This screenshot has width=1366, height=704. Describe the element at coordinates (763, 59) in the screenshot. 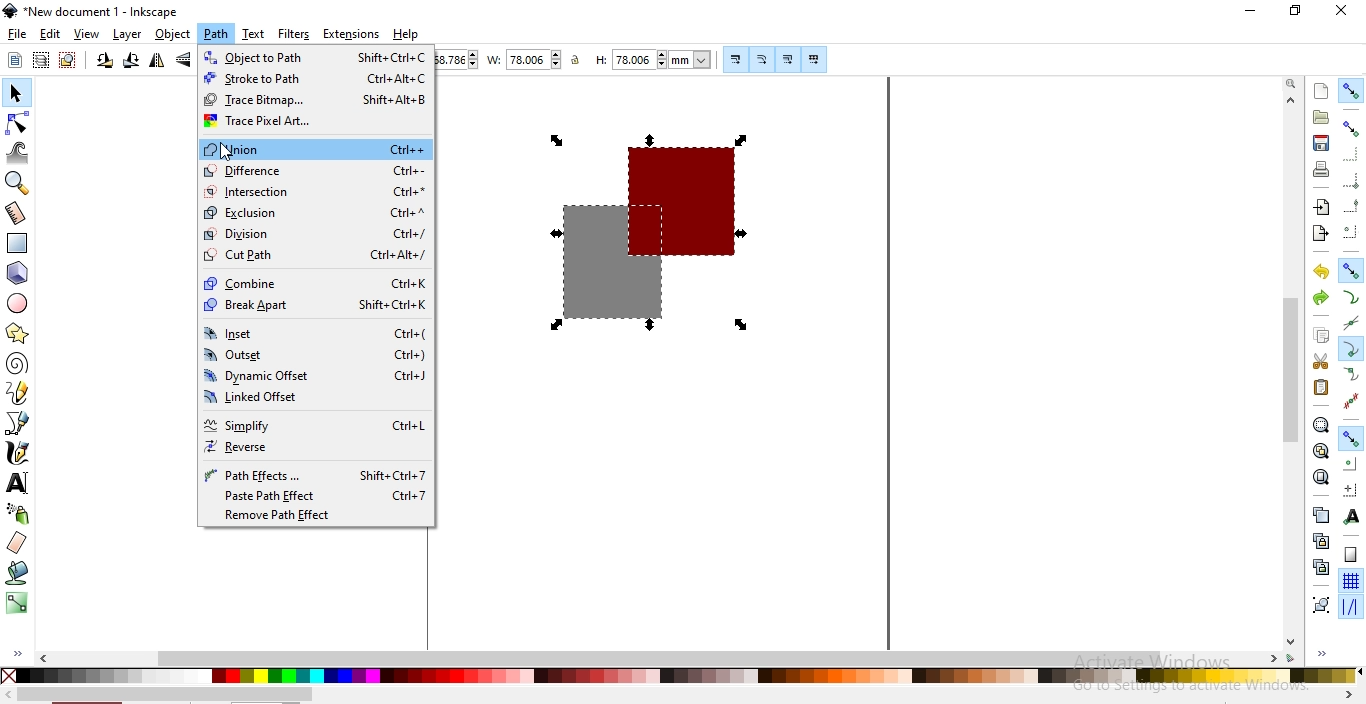

I see `scale radii of rounded corners` at that location.